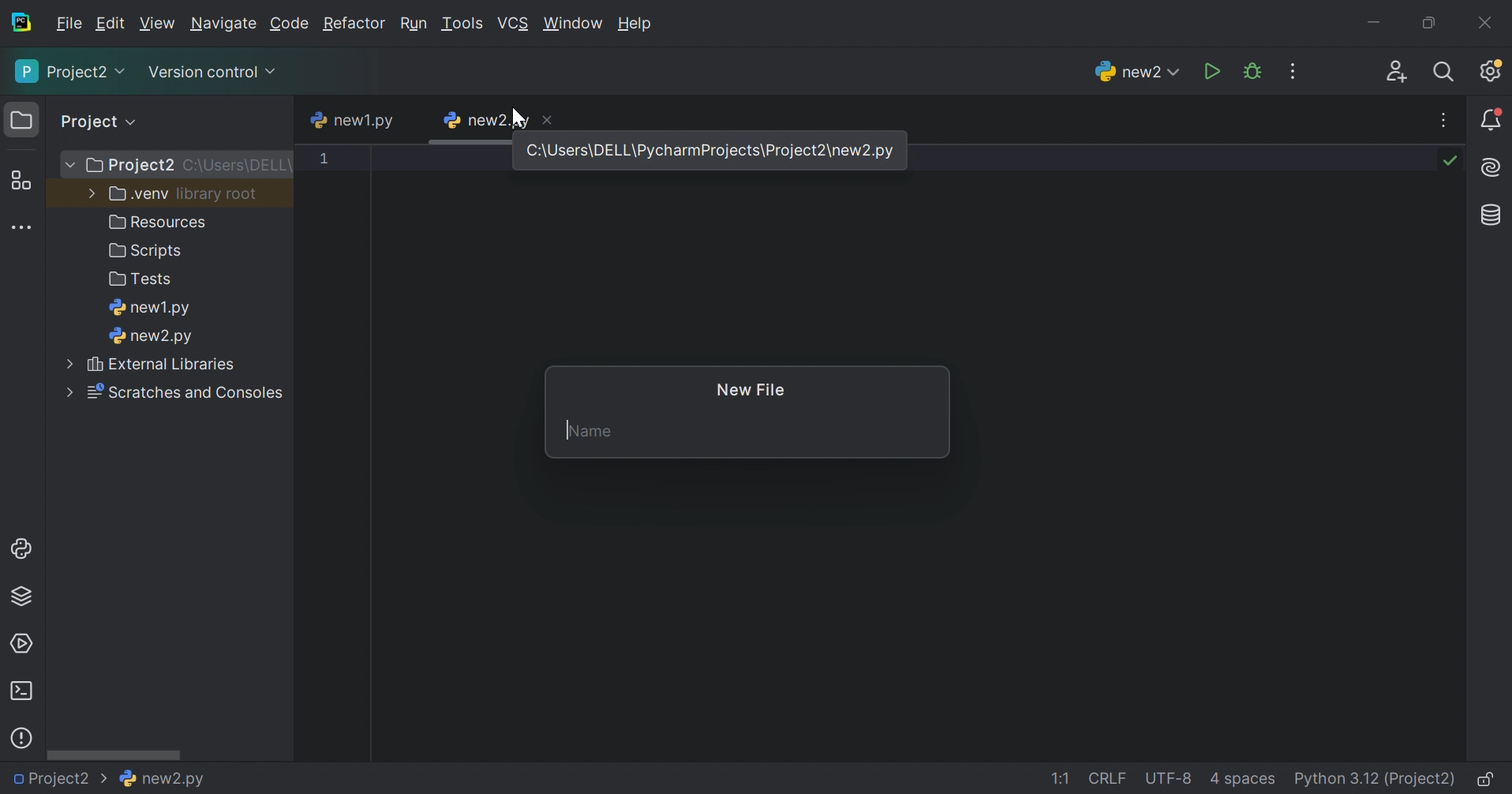 The width and height of the screenshot is (1512, 794). Describe the element at coordinates (462, 24) in the screenshot. I see `Tools` at that location.